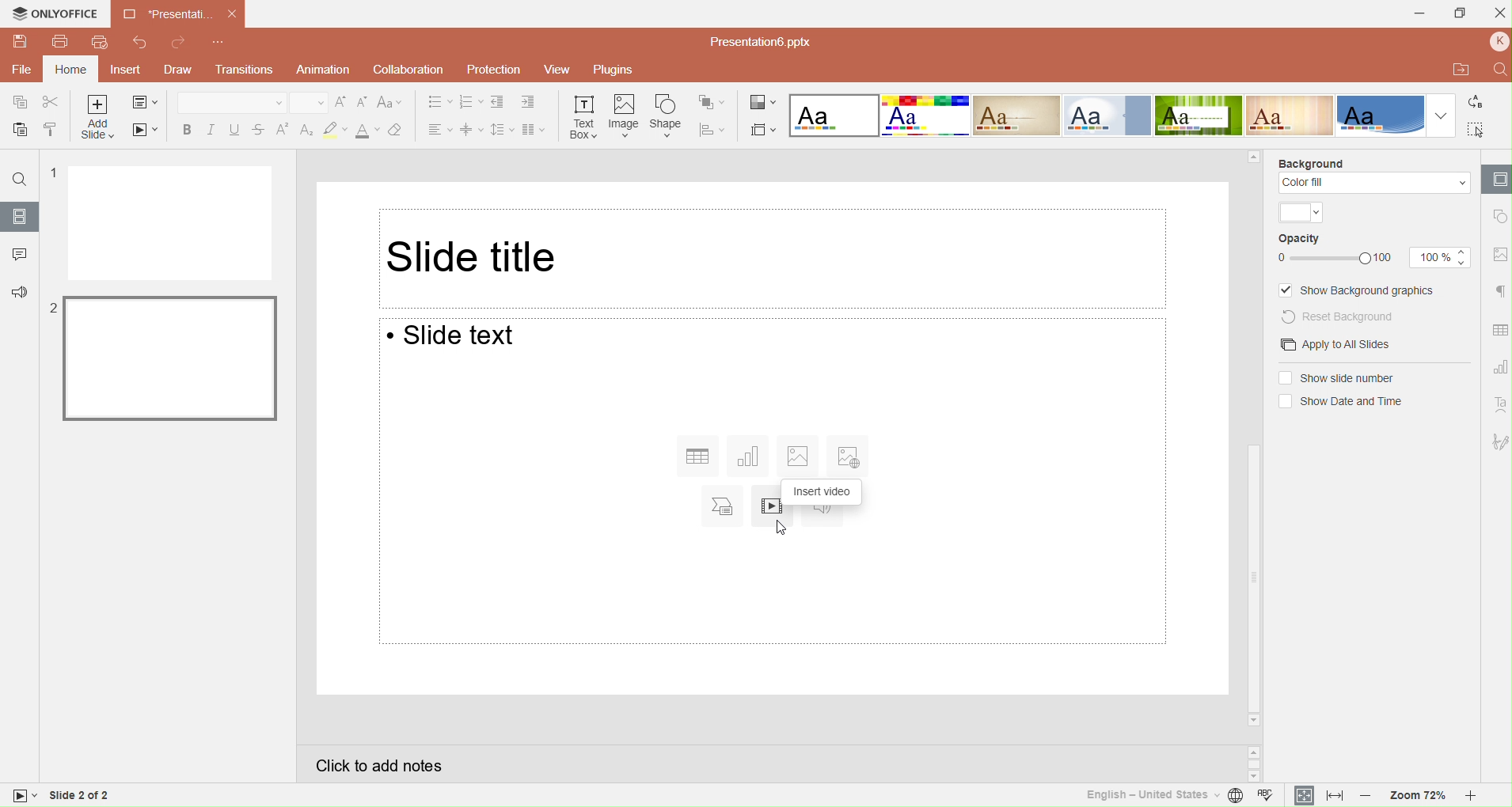 This screenshot has width=1512, height=807. What do you see at coordinates (764, 130) in the screenshot?
I see `Select slide size` at bounding box center [764, 130].